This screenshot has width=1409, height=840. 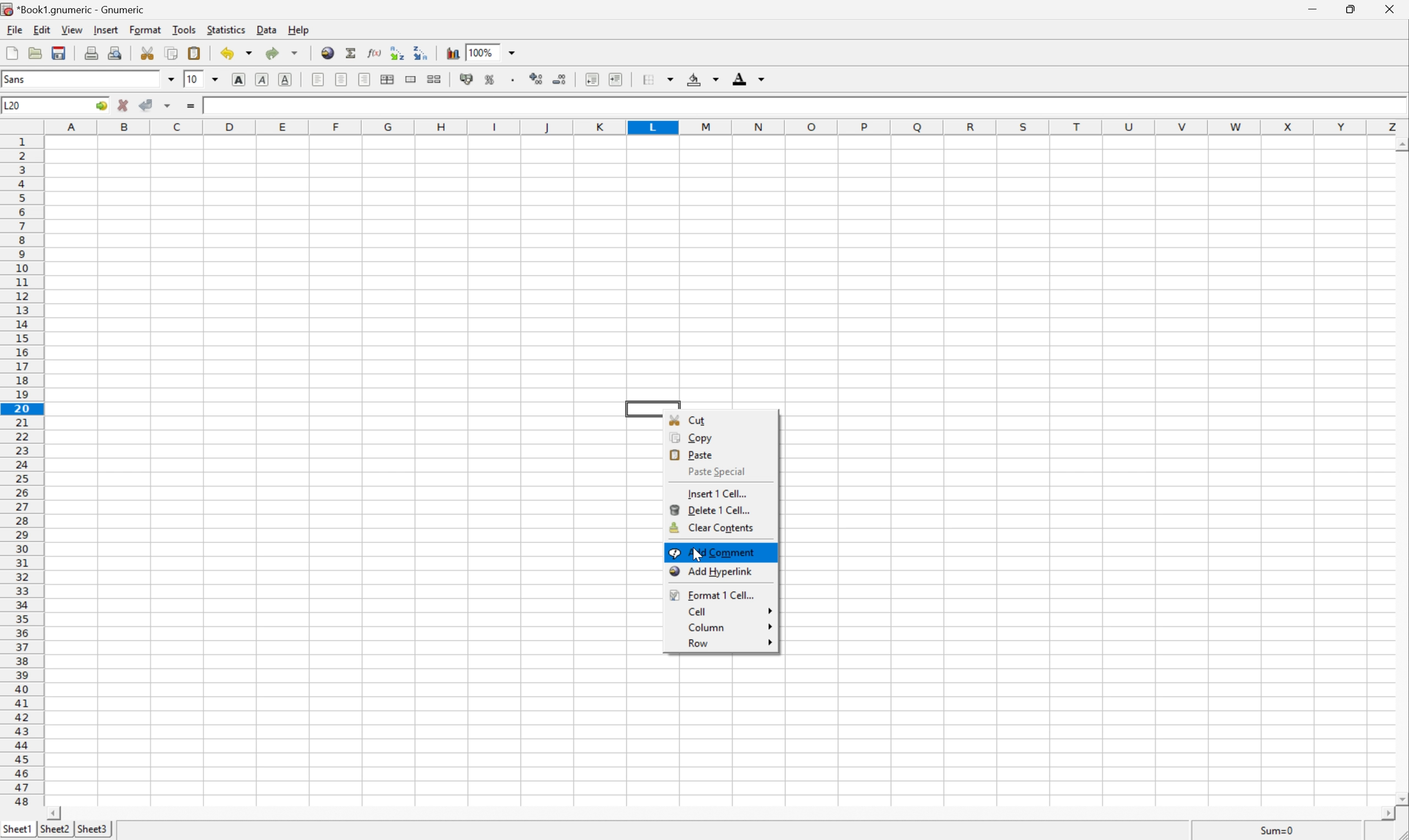 What do you see at coordinates (261, 79) in the screenshot?
I see `Italic` at bounding box center [261, 79].